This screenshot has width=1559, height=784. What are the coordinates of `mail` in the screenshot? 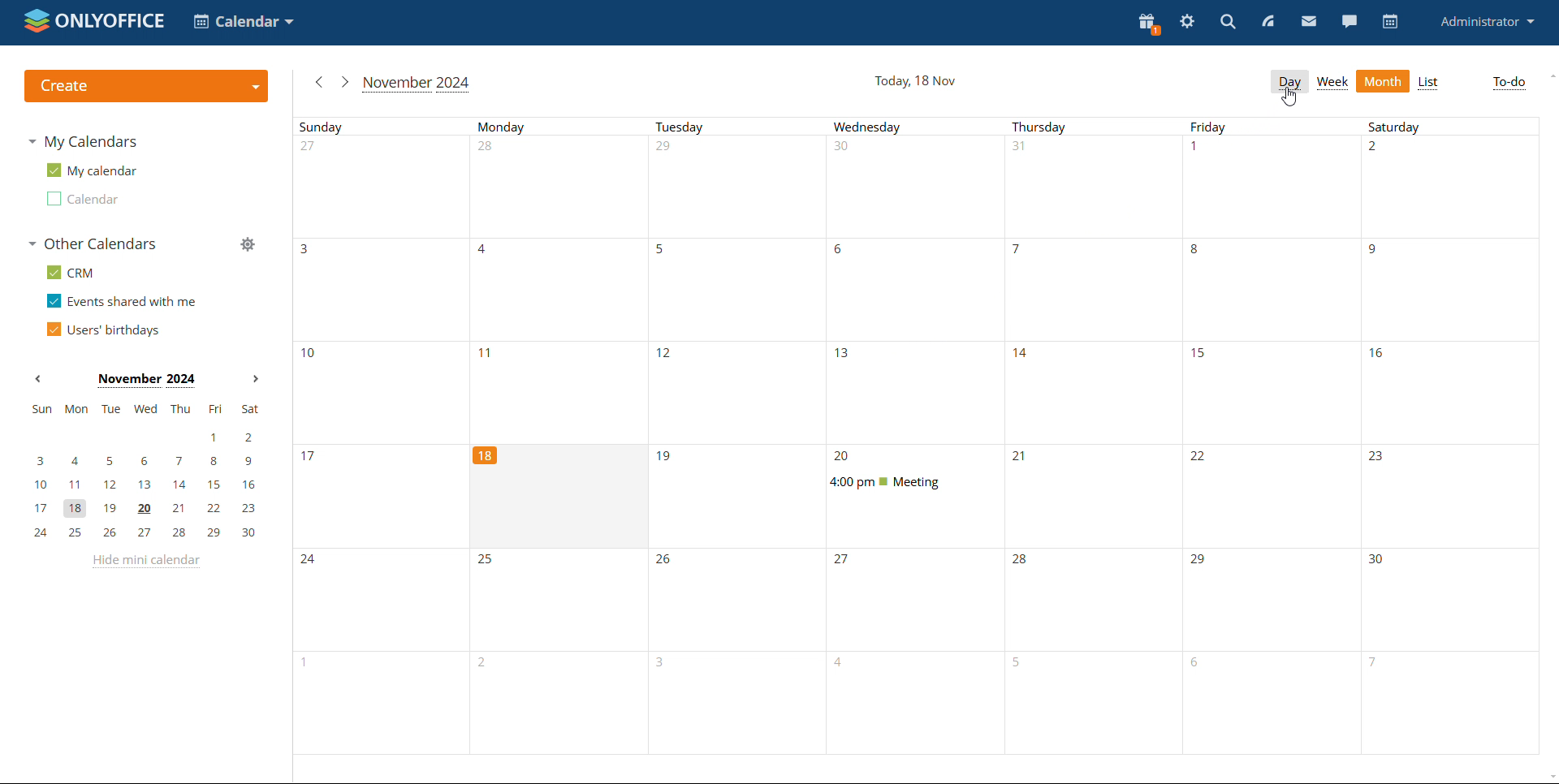 It's located at (1308, 22).